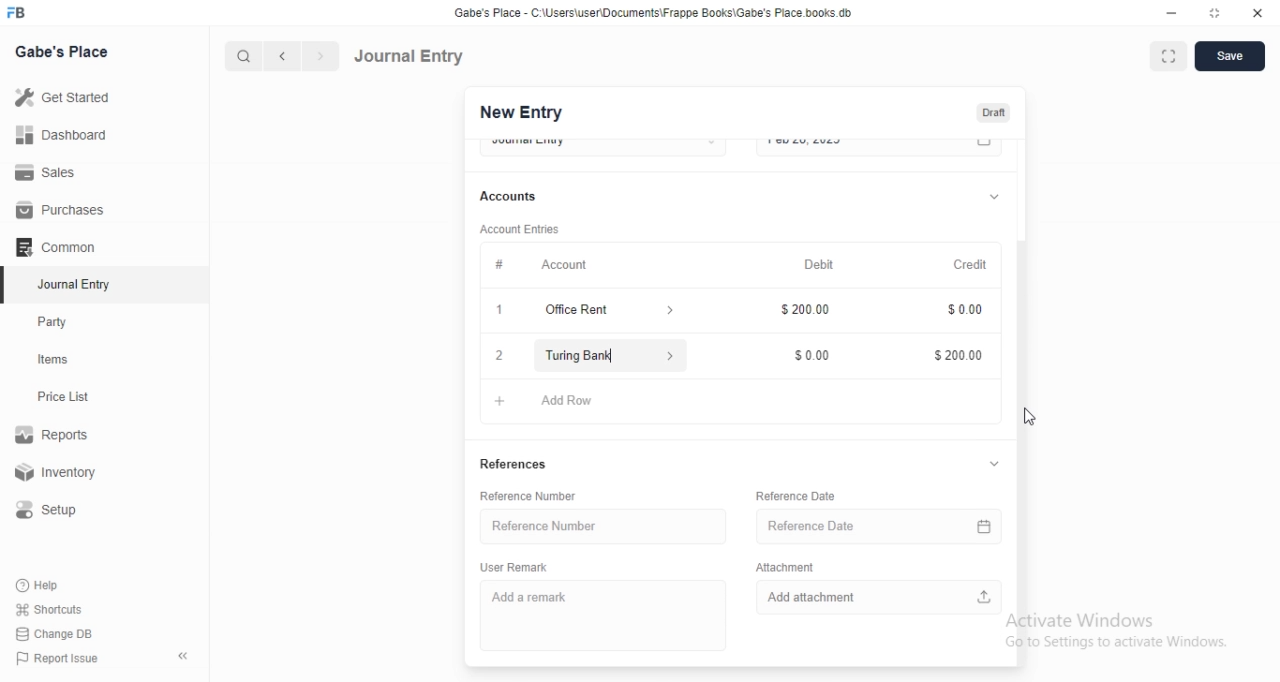 The height and width of the screenshot is (682, 1280). I want to click on Shortcuts, so click(49, 608).